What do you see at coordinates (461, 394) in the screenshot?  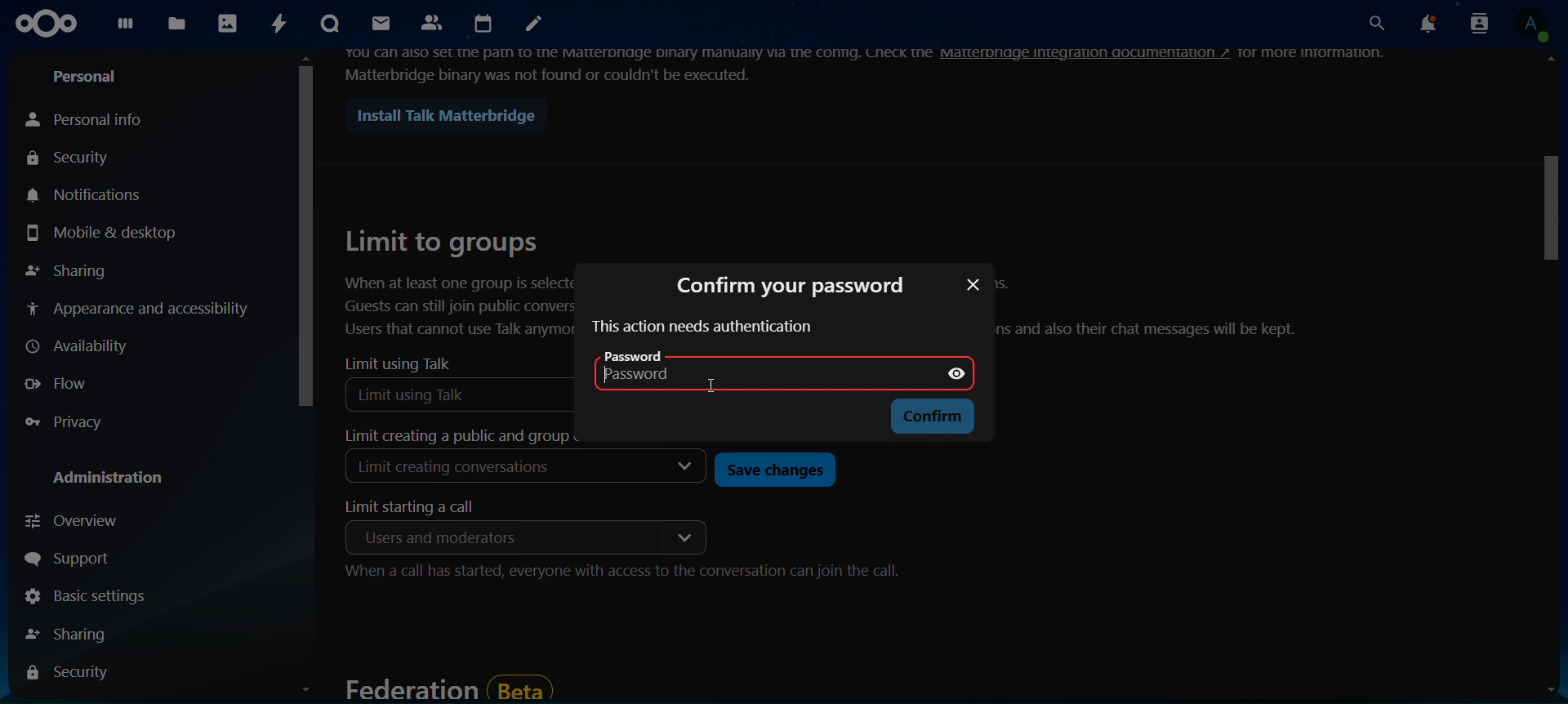 I see `Limit using Talk selected` at bounding box center [461, 394].